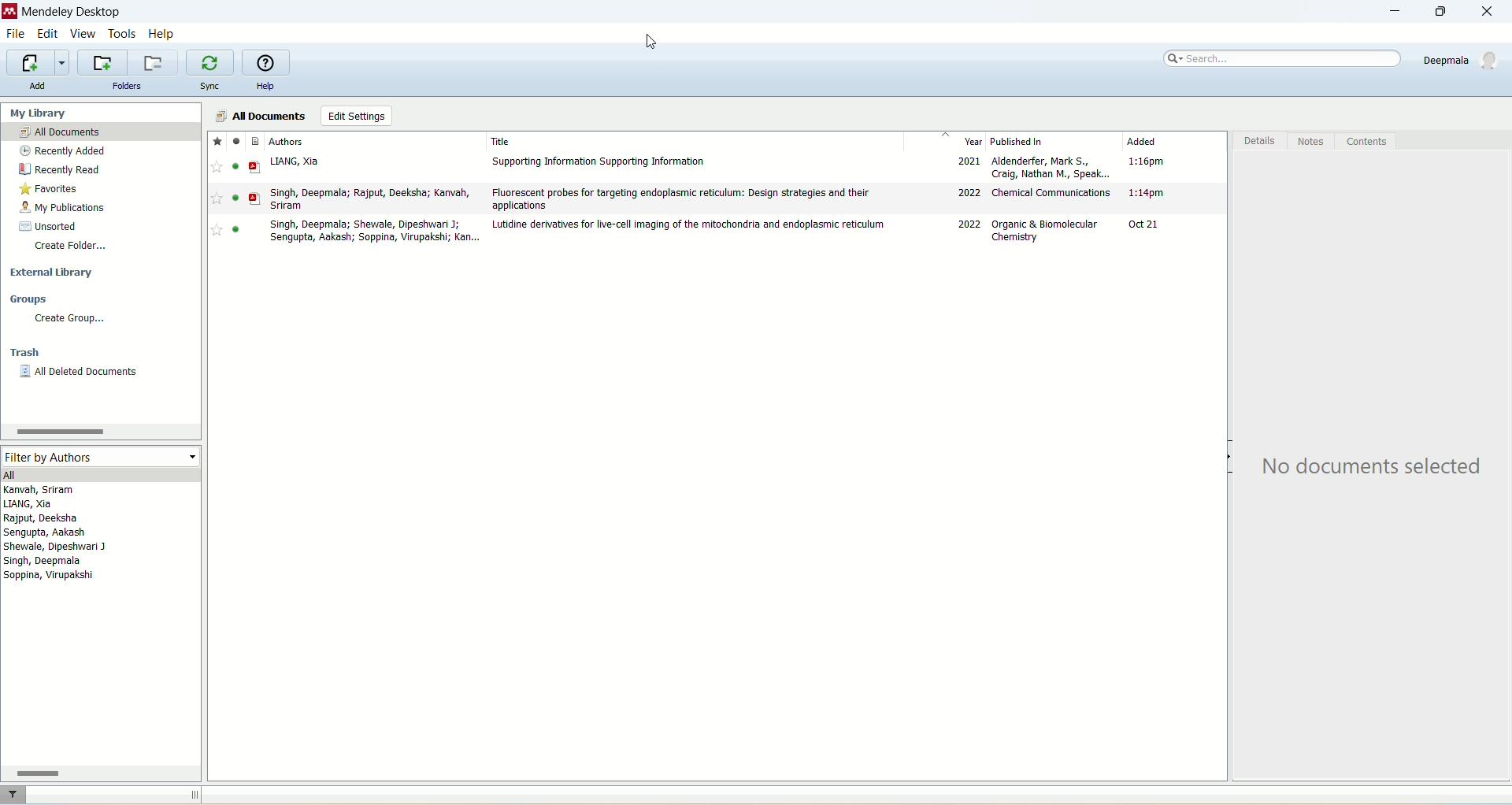 The height and width of the screenshot is (805, 1512). What do you see at coordinates (375, 229) in the screenshot?
I see `Singh, Deepmala; Shewale, Dipeshwari J; Sengupta, Aakash; Soppina, Virupakshi; Kan...` at bounding box center [375, 229].